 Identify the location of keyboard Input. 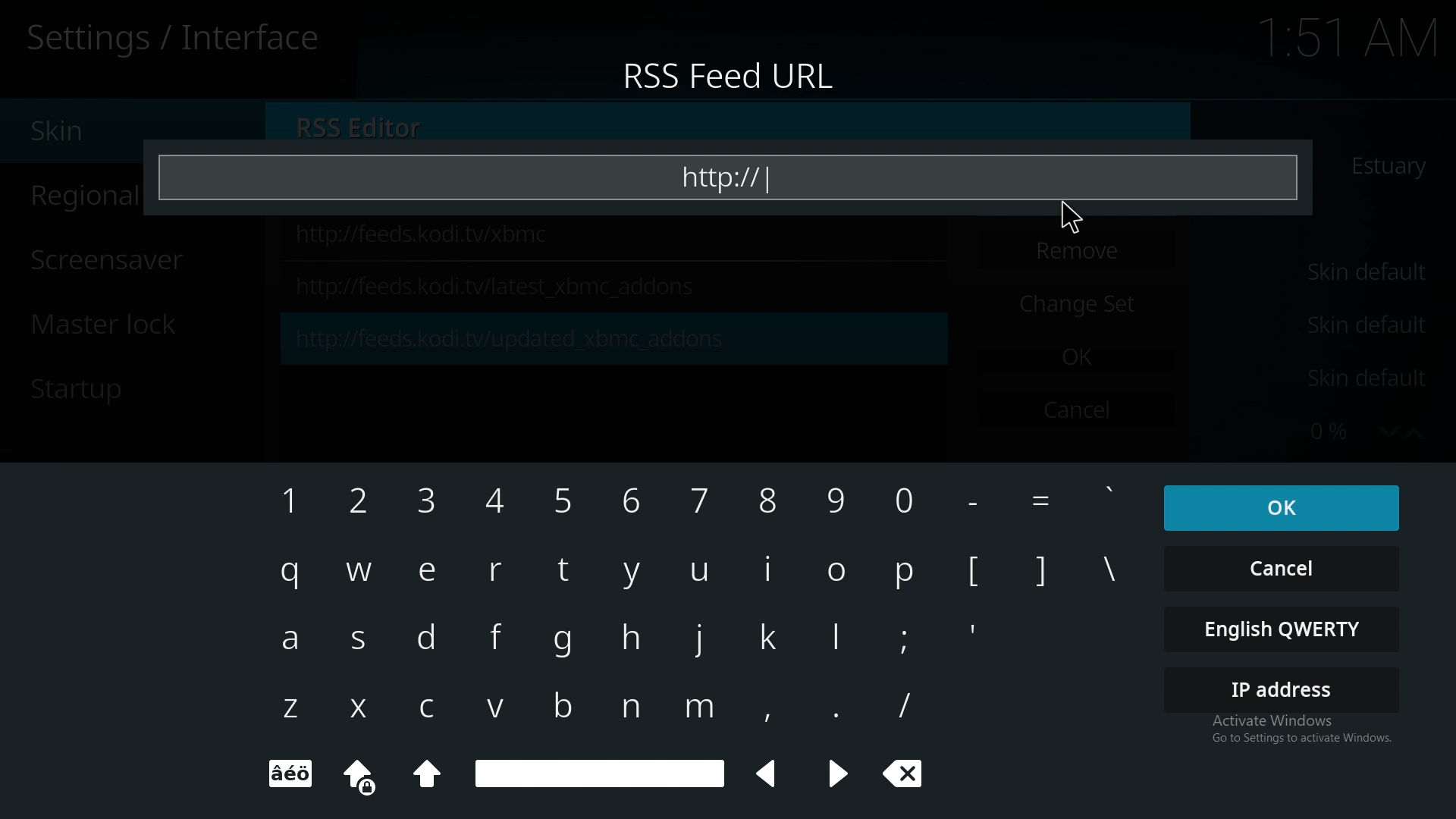
(701, 499).